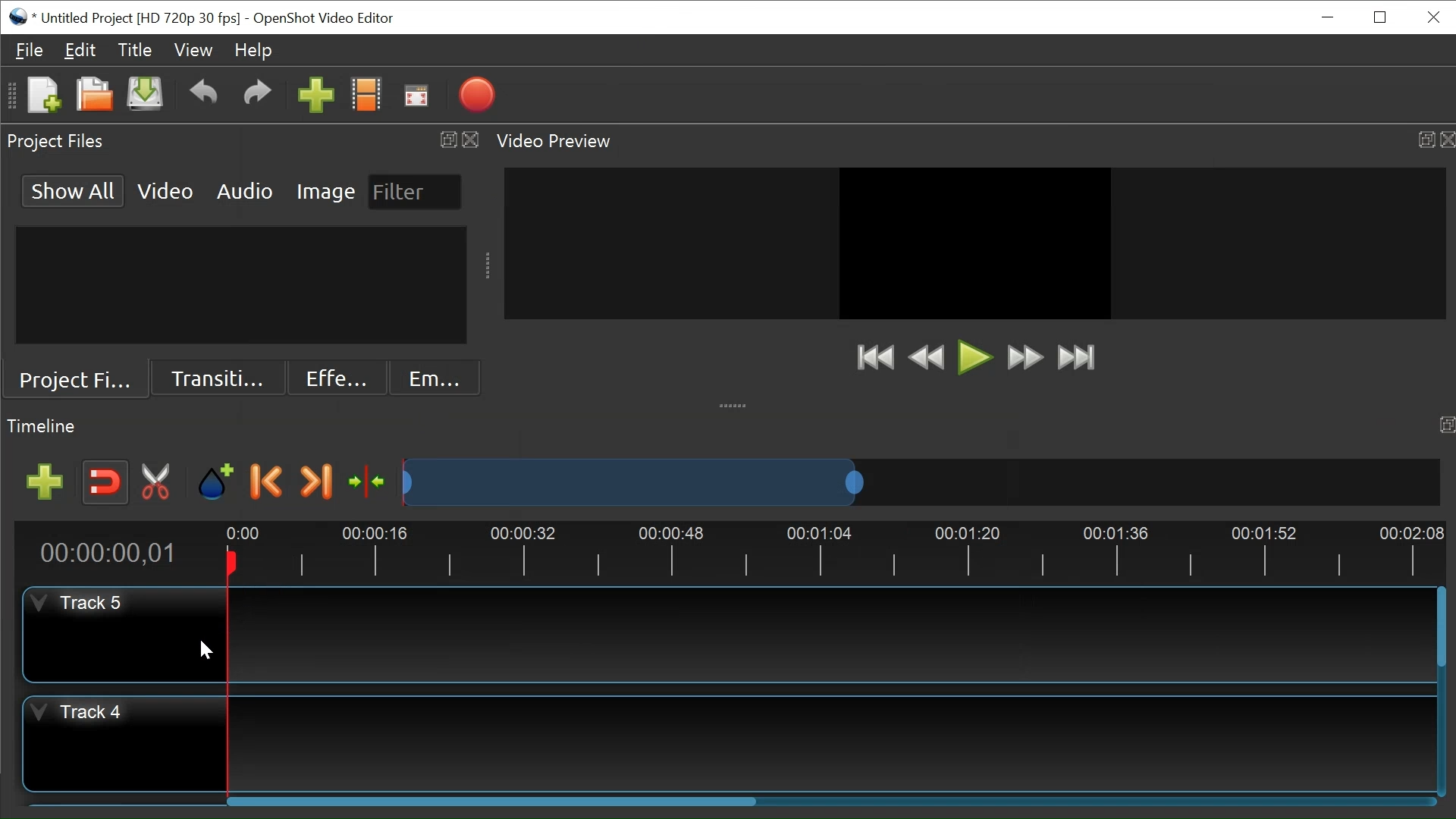  I want to click on Next Marker, so click(315, 482).